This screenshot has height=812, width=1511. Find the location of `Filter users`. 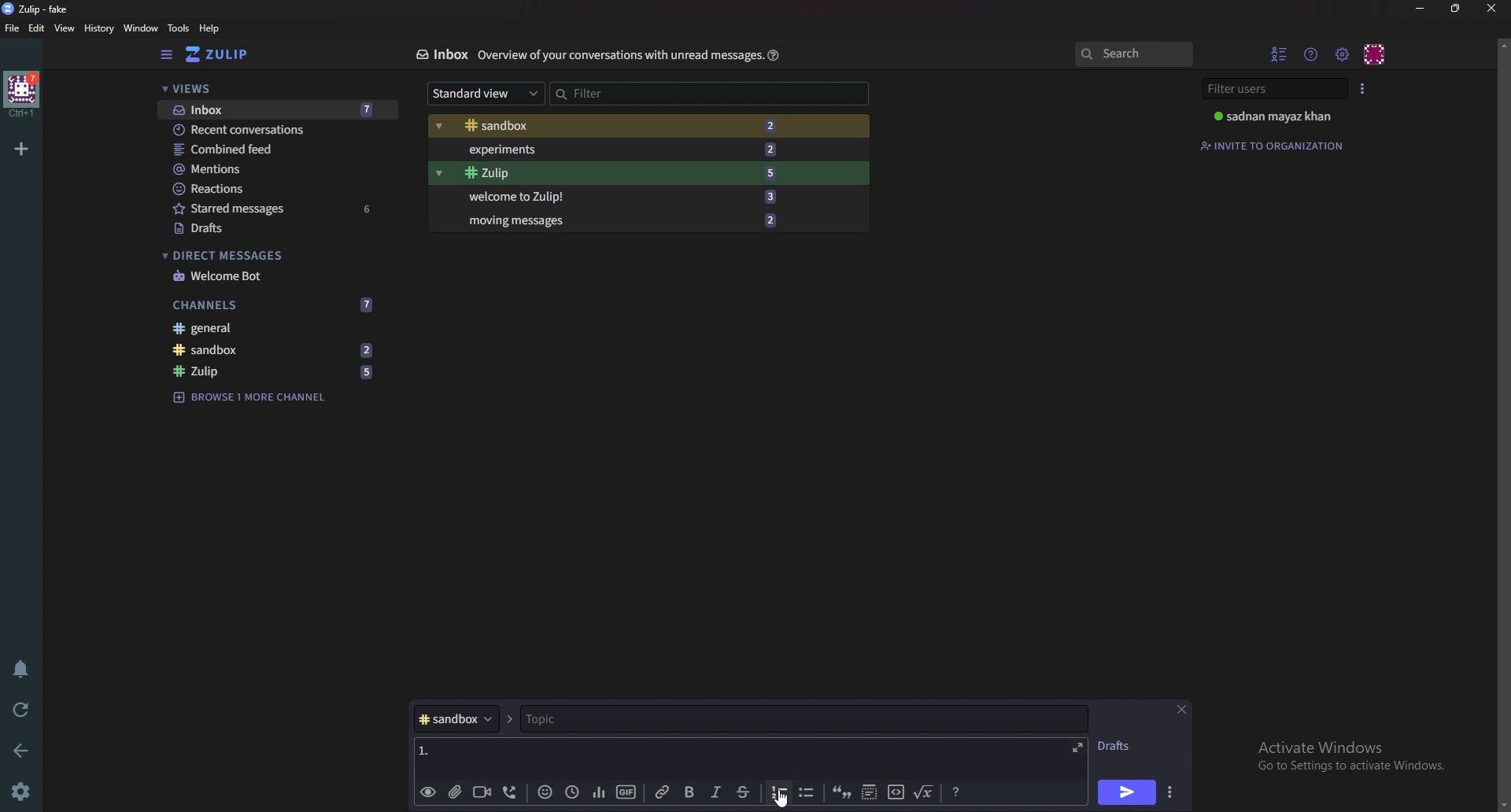

Filter users is located at coordinates (1273, 89).